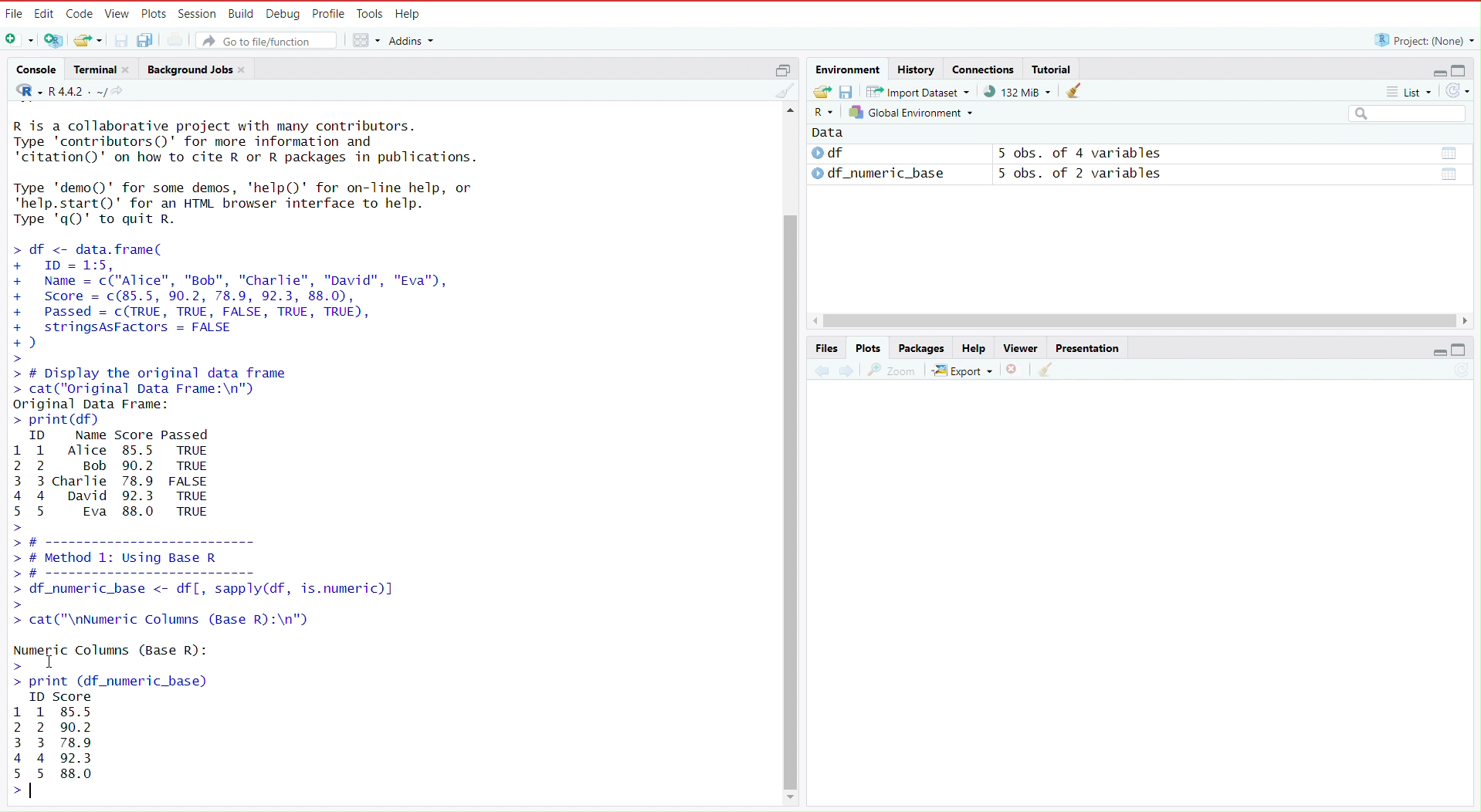 The image size is (1481, 812). Describe the element at coordinates (54, 39) in the screenshot. I see `create a project` at that location.